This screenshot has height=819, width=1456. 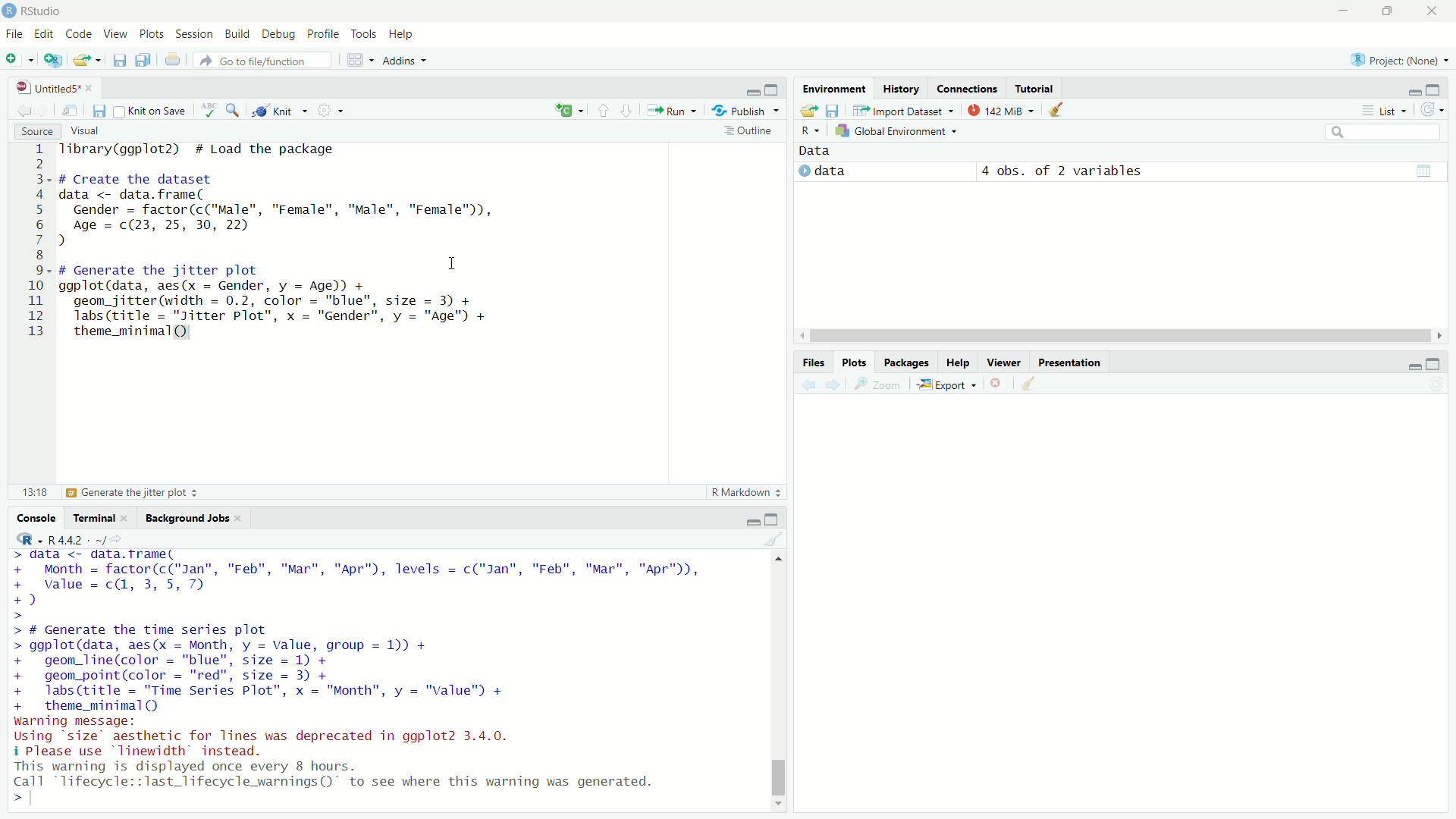 I want to click on prompt cursor, so click(x=13, y=804).